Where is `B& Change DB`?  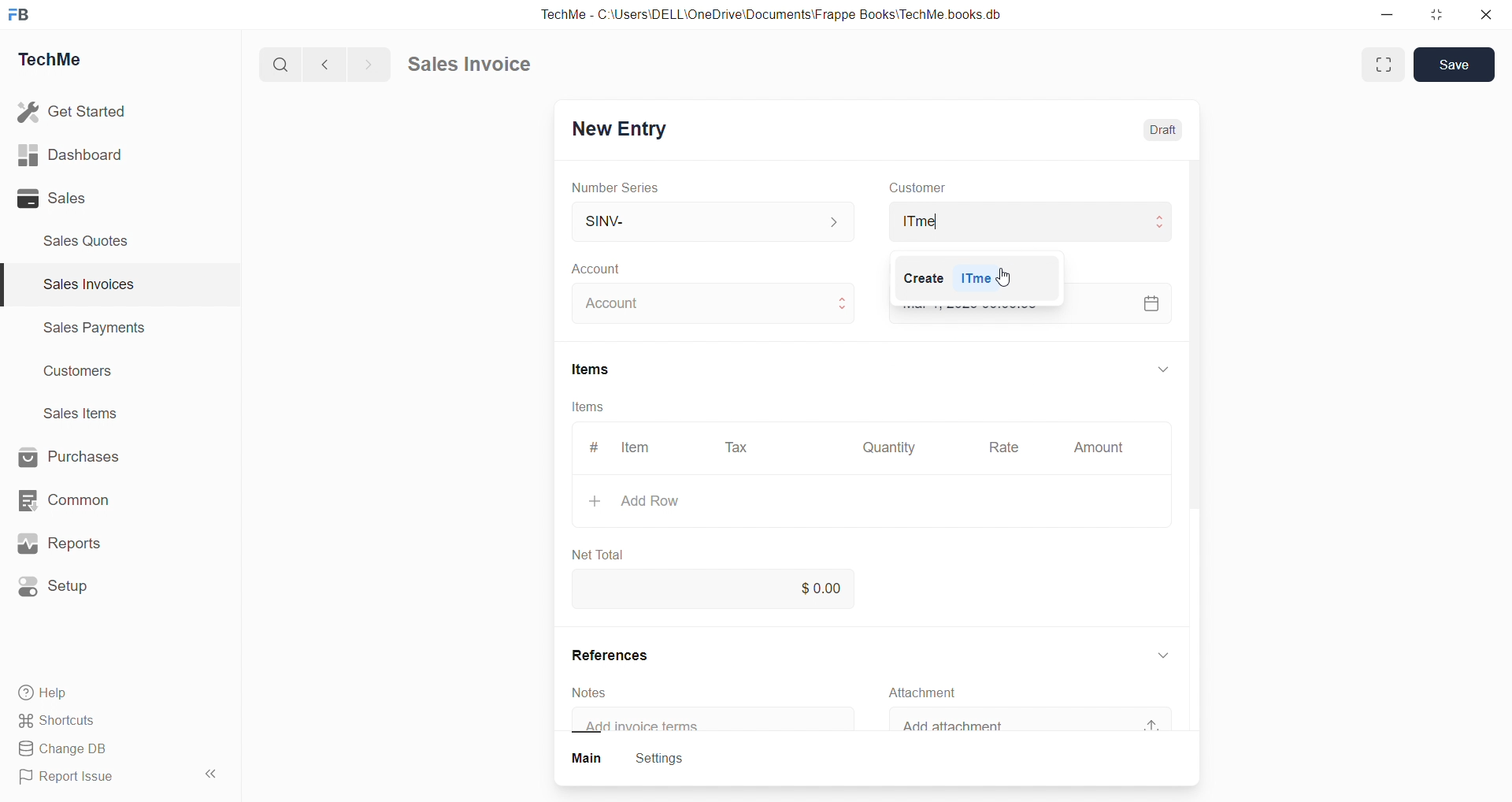
B& Change DB is located at coordinates (69, 750).